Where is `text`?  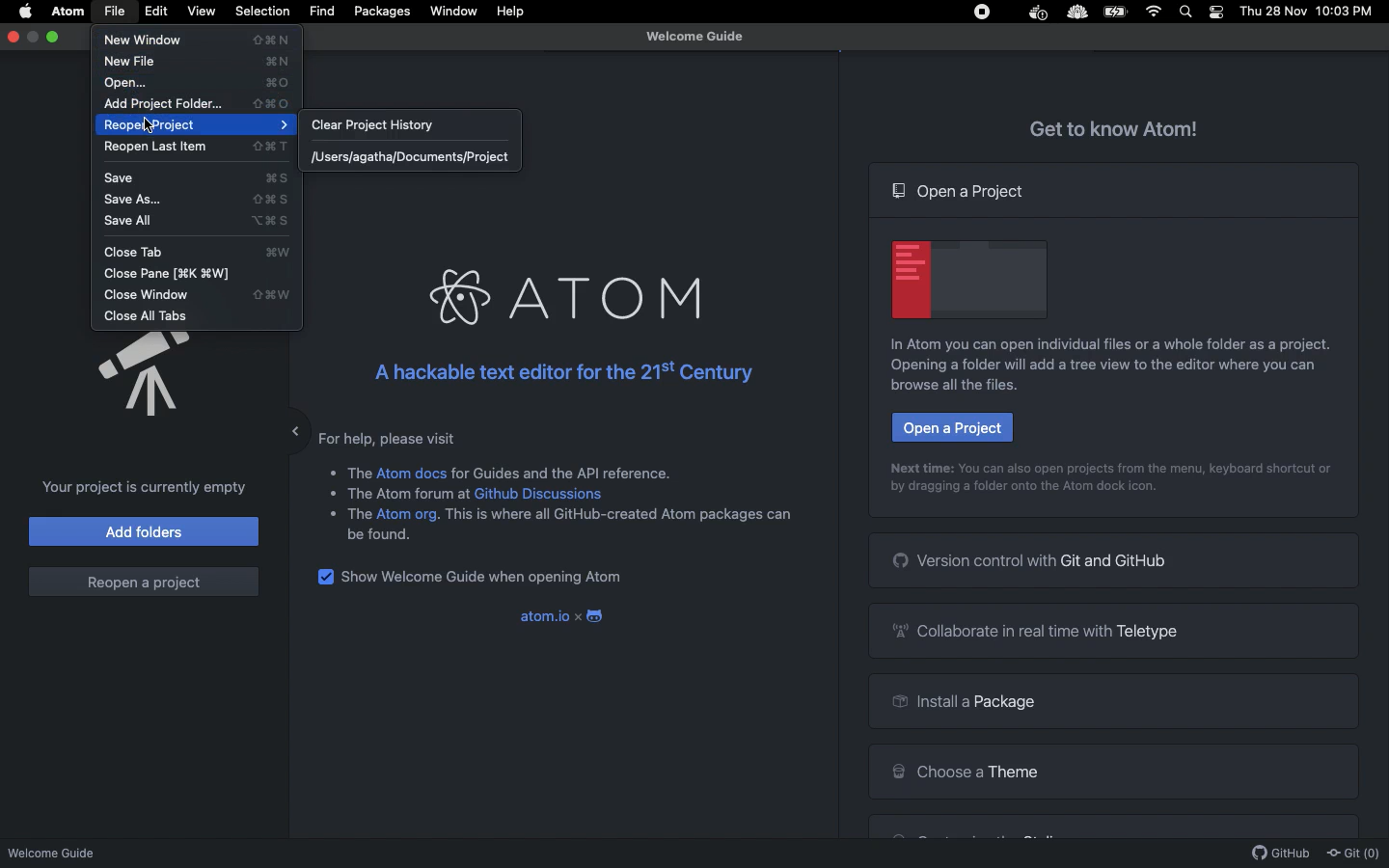 text is located at coordinates (359, 514).